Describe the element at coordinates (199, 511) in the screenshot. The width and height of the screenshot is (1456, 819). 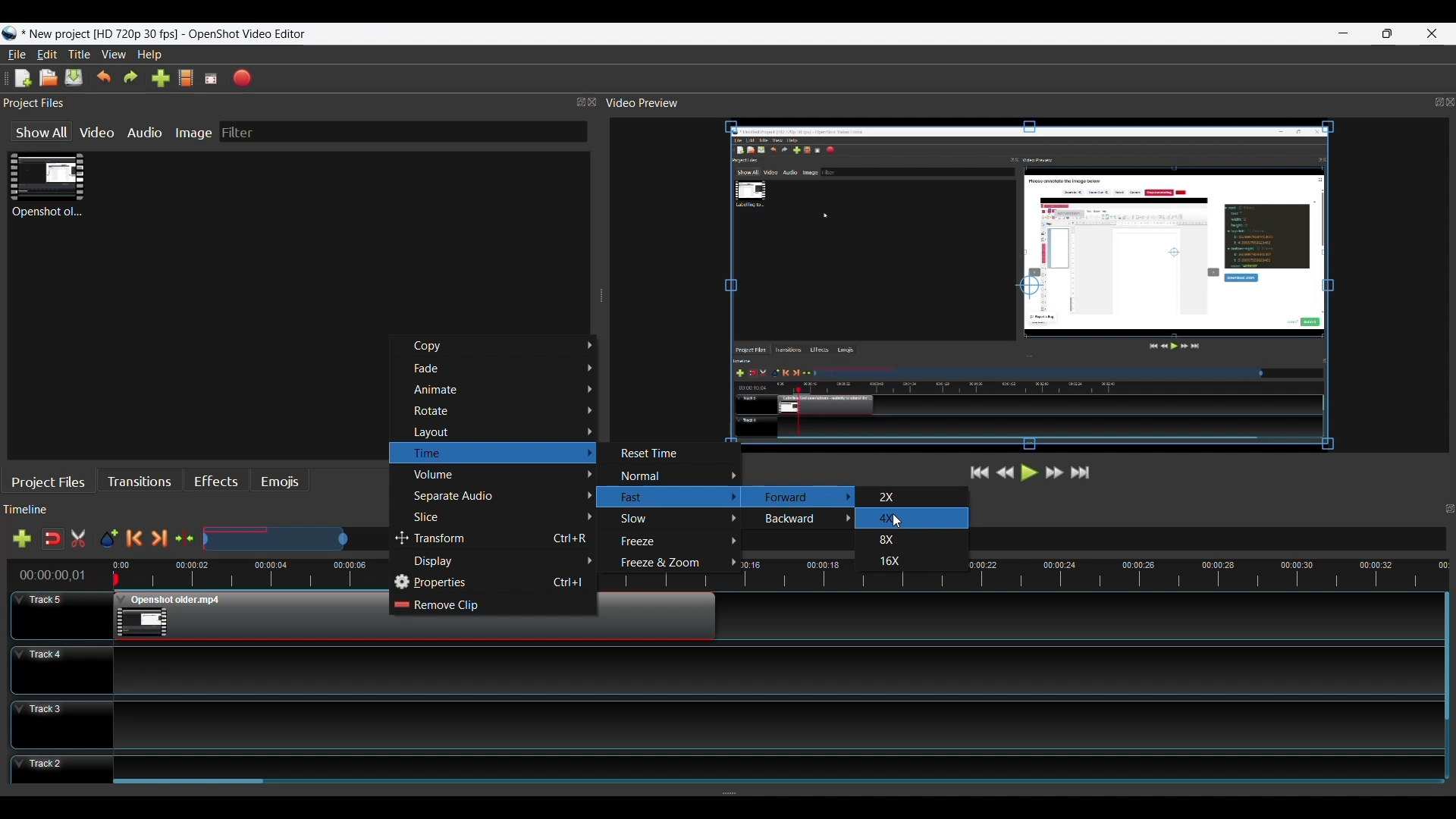
I see `Timeline Panel` at that location.